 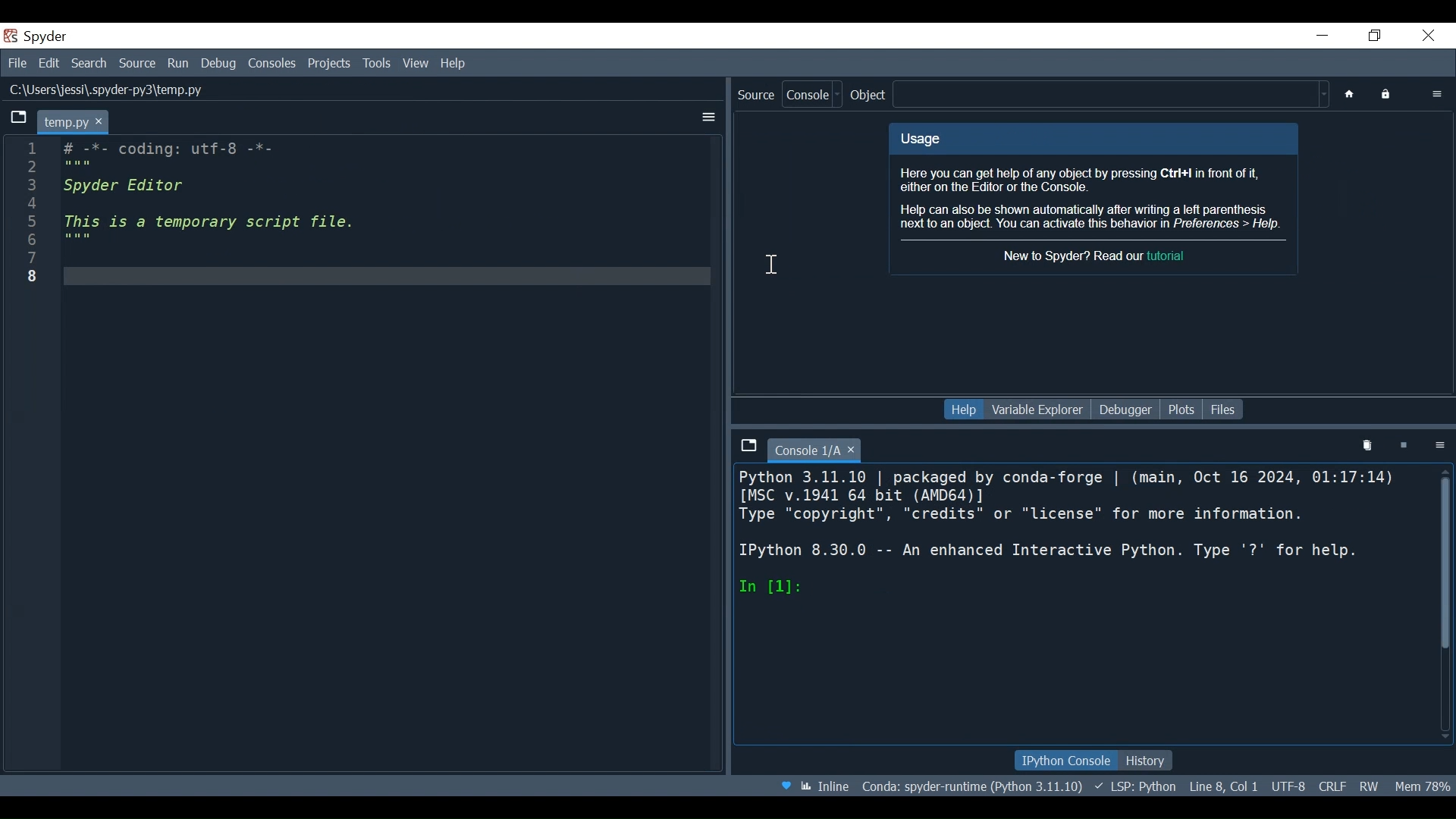 What do you see at coordinates (1323, 36) in the screenshot?
I see `Minimize` at bounding box center [1323, 36].